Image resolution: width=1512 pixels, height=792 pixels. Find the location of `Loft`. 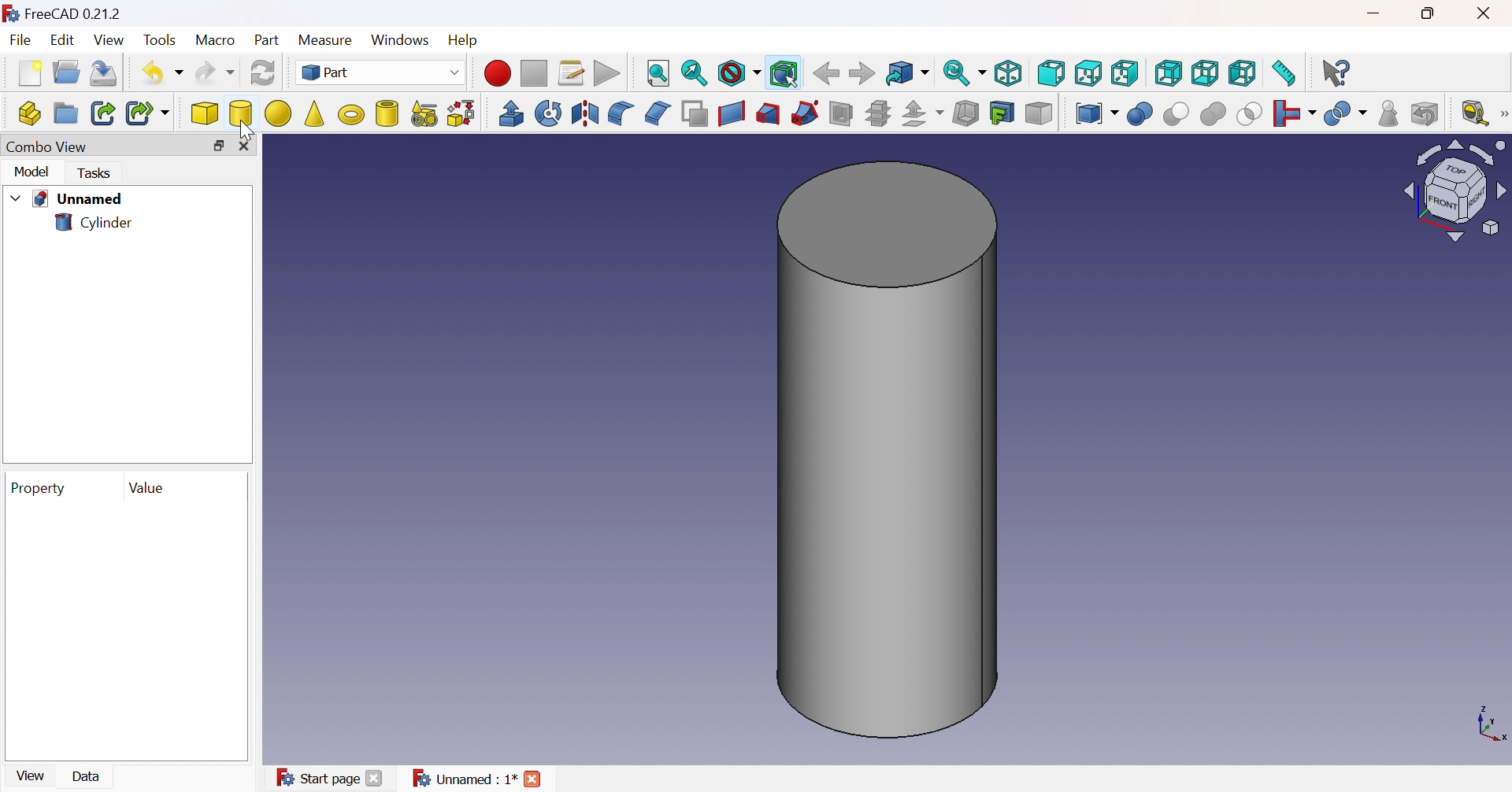

Loft is located at coordinates (766, 116).